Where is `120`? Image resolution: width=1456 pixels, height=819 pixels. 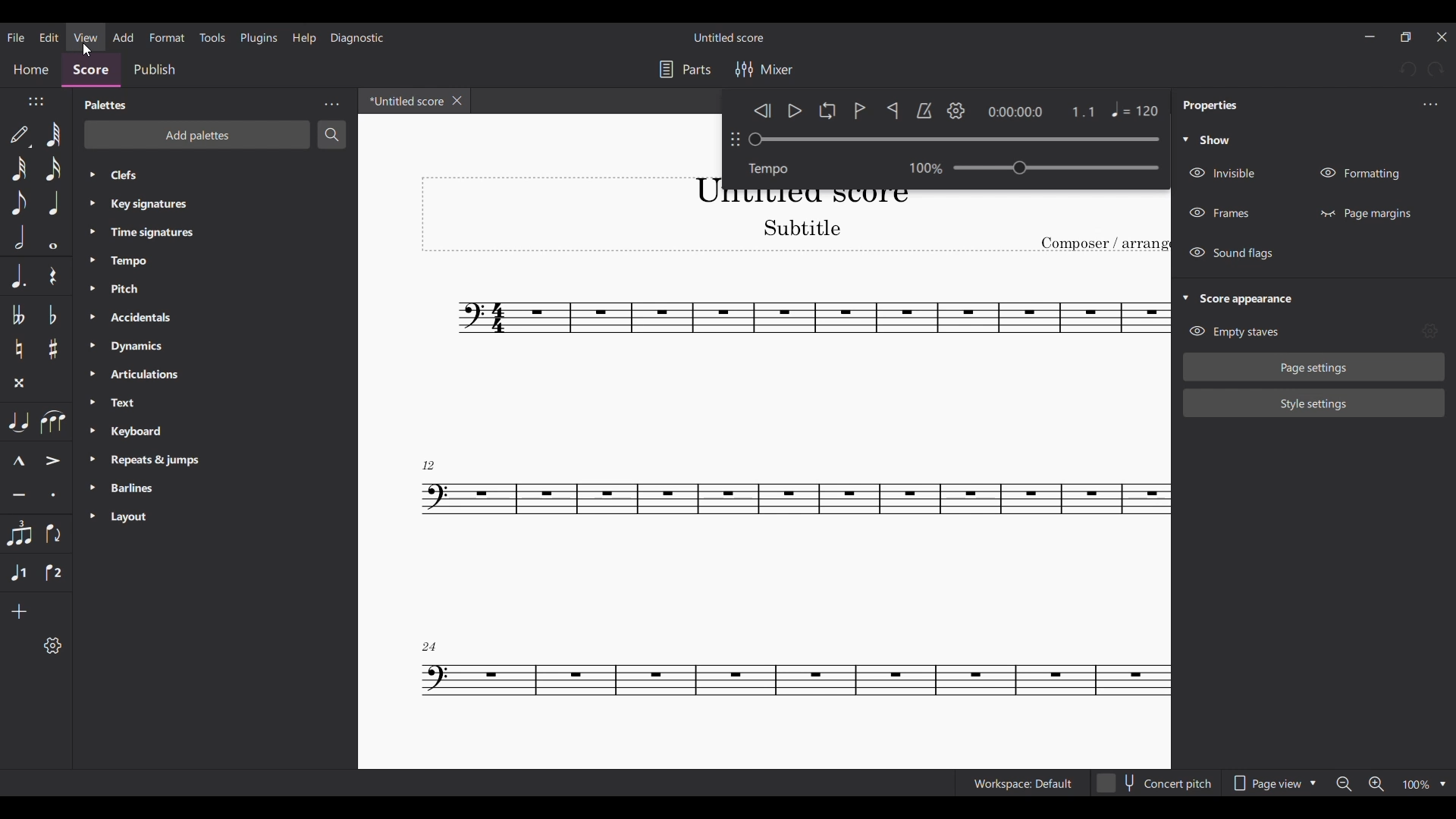 120 is located at coordinates (1118, 113).